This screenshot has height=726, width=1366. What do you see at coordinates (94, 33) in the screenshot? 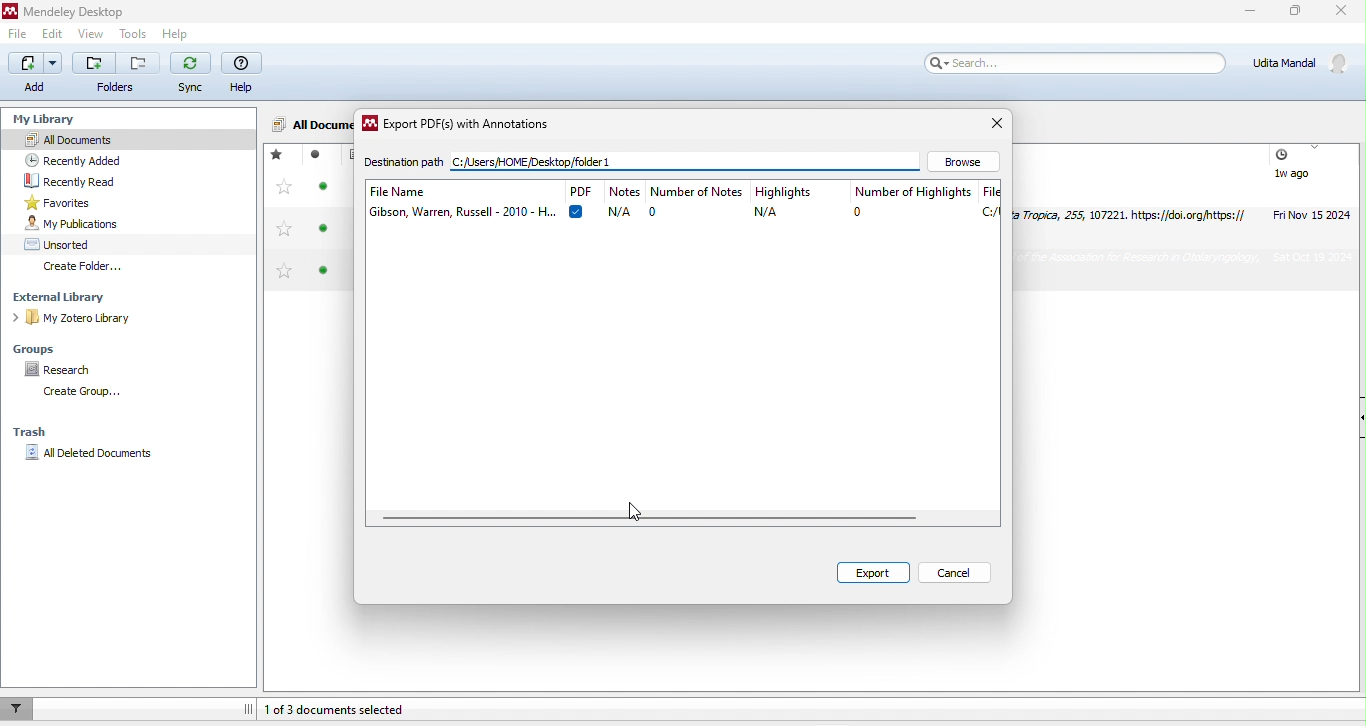
I see `view` at bounding box center [94, 33].